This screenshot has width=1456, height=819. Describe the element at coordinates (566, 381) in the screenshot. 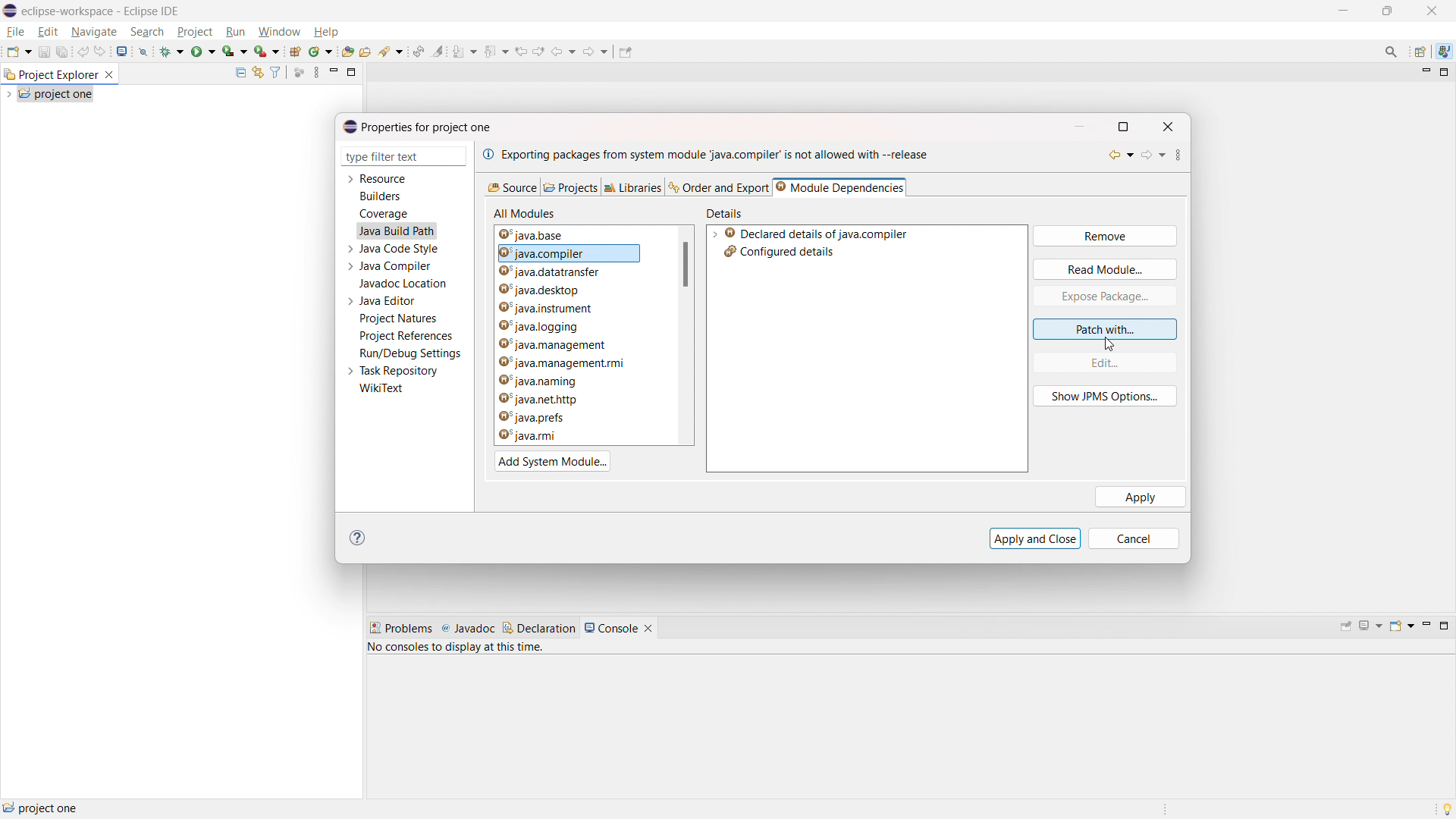

I see `java.naming` at that location.